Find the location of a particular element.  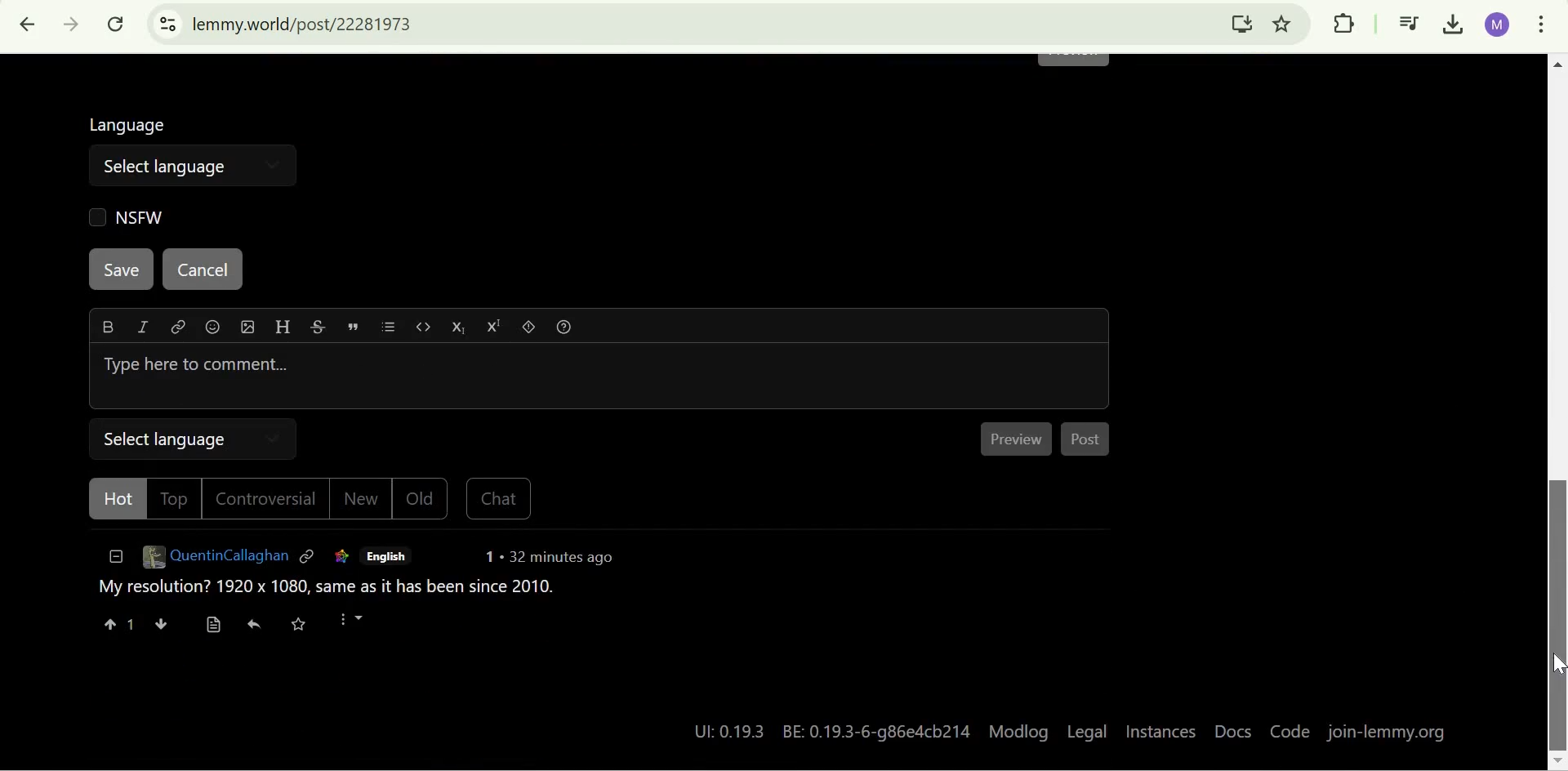

UI: 0.19.3 is located at coordinates (724, 731).